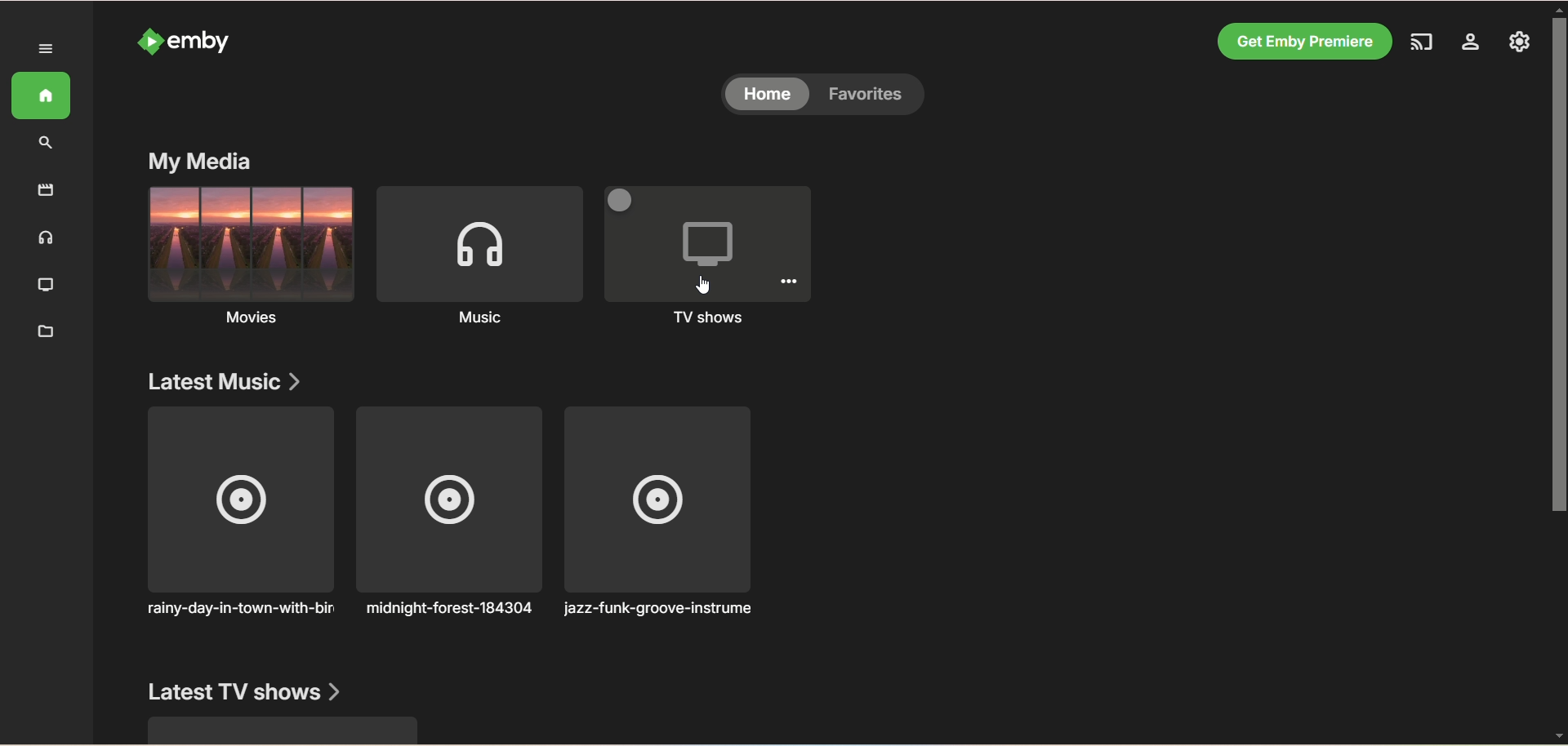 This screenshot has height=746, width=1568. I want to click on expand, so click(47, 49).